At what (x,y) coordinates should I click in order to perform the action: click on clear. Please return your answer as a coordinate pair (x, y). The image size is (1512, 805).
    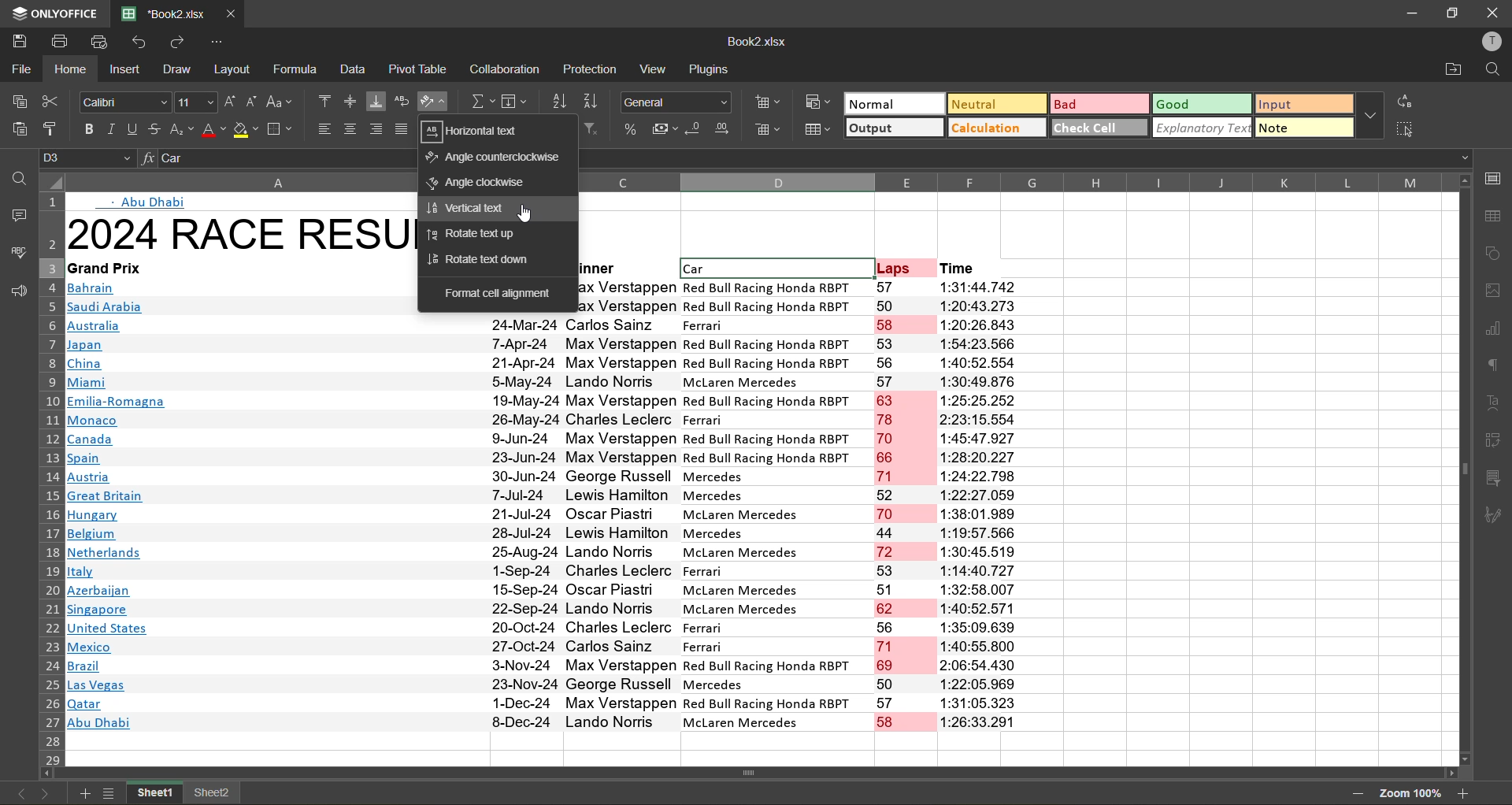
    Looking at the image, I should click on (592, 129).